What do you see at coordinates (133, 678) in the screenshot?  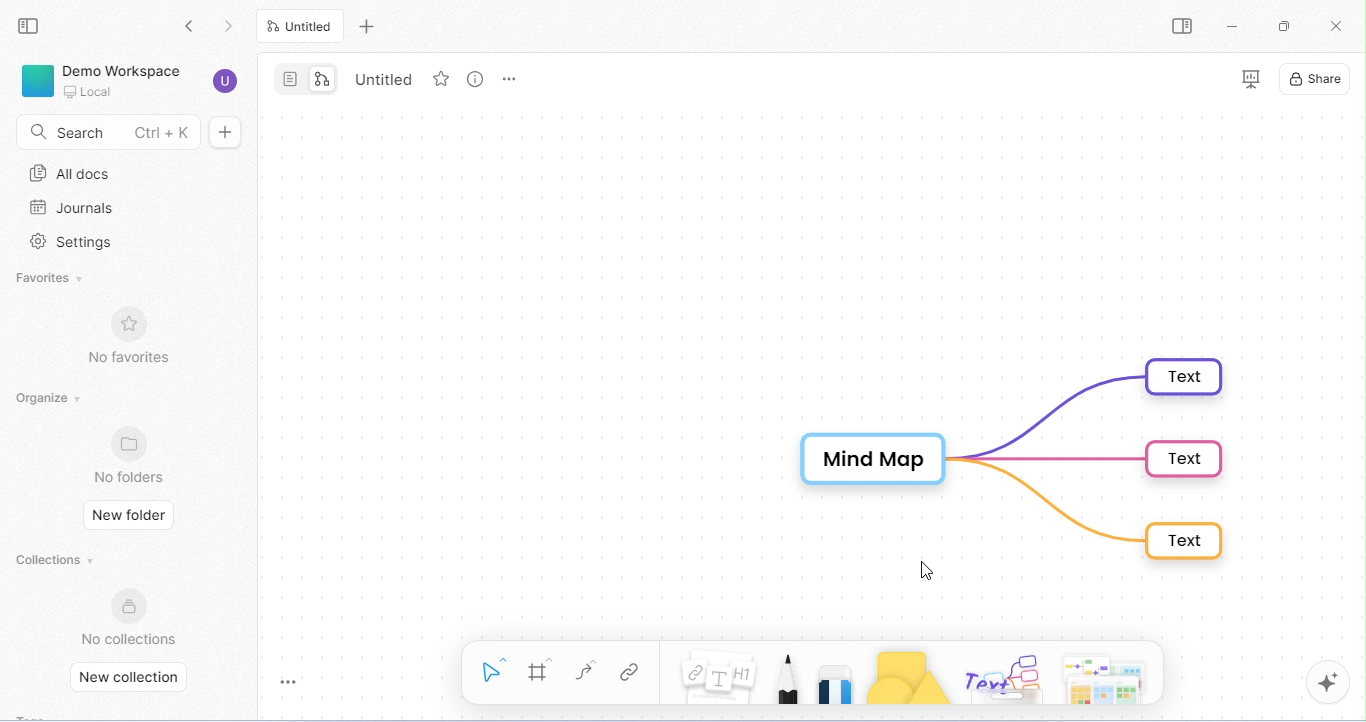 I see `New collection` at bounding box center [133, 678].